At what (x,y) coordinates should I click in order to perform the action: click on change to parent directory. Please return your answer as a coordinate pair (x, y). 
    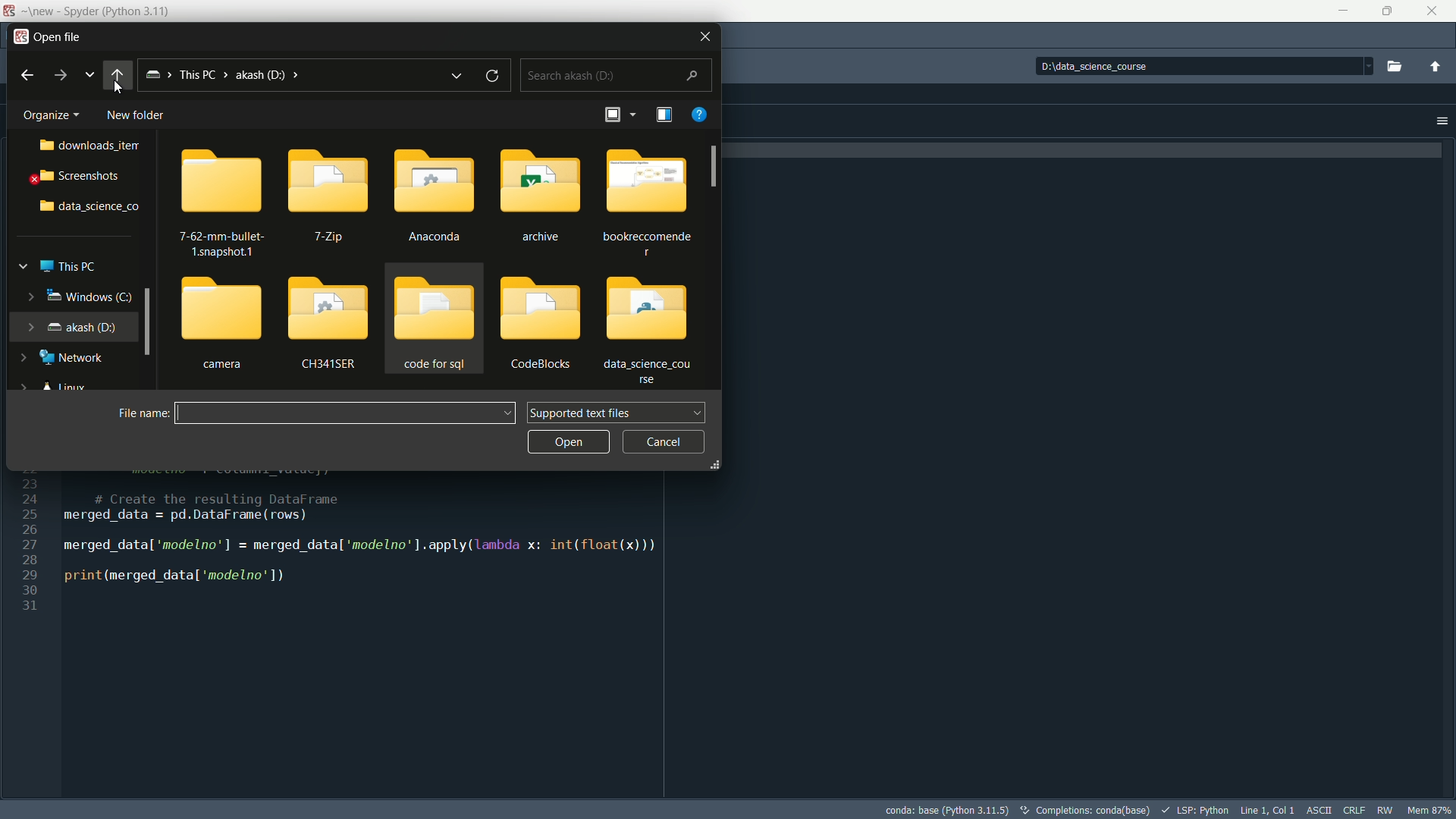
    Looking at the image, I should click on (1436, 66).